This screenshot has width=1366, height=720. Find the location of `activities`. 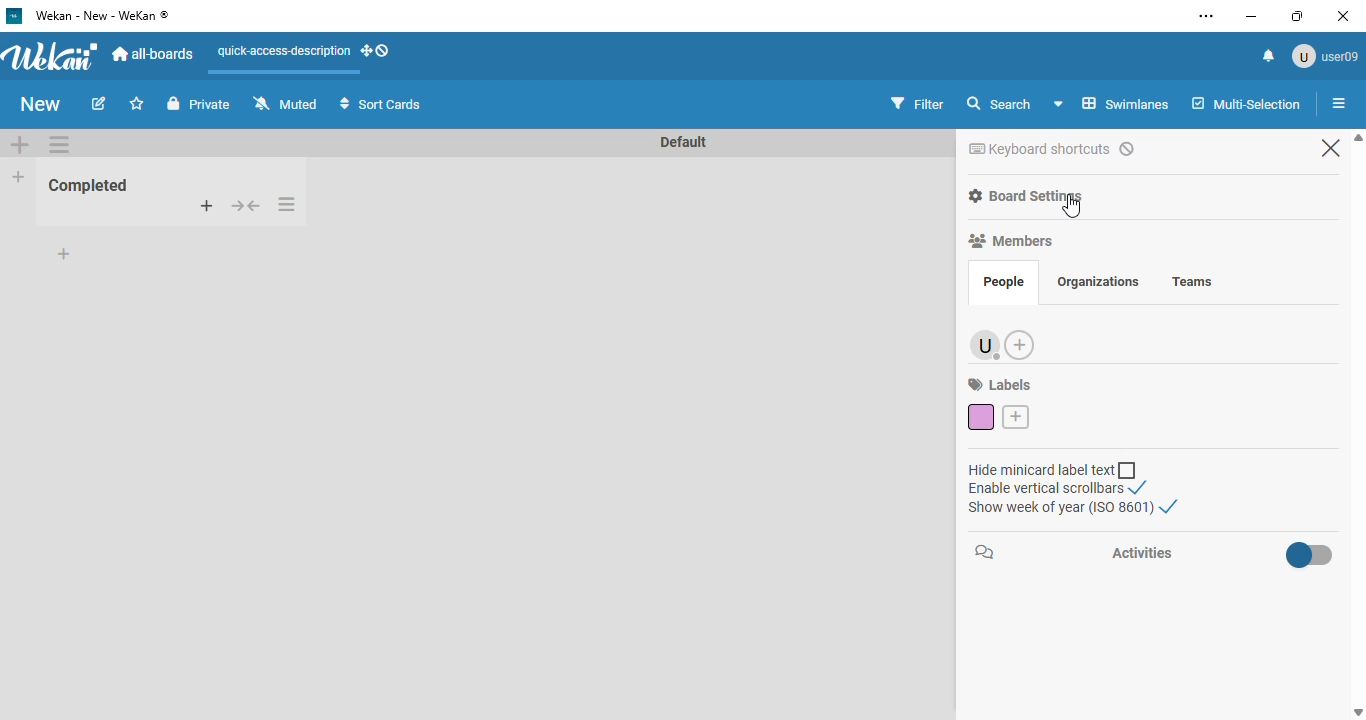

activities is located at coordinates (1140, 551).